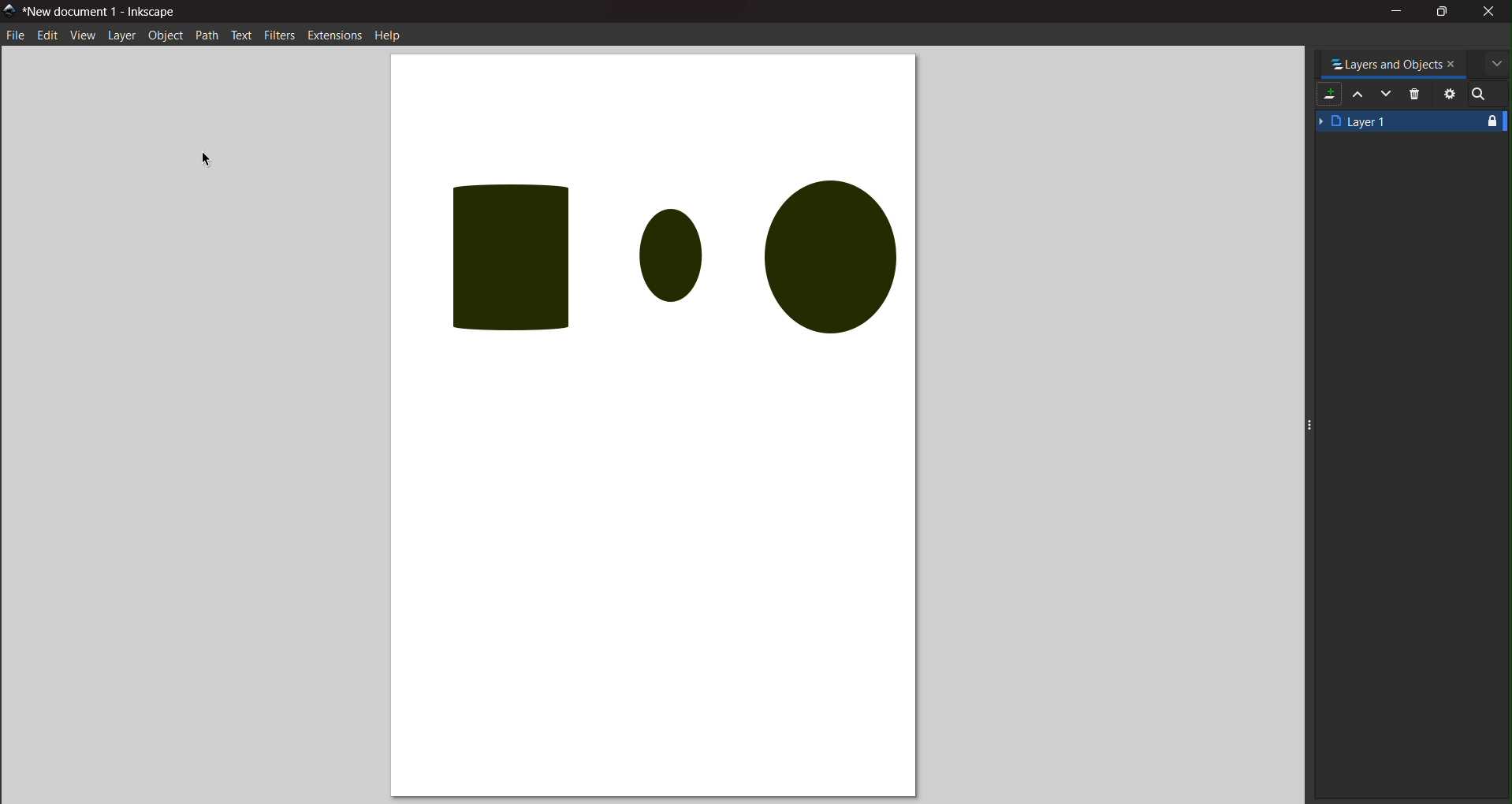  I want to click on setting, so click(1449, 94).